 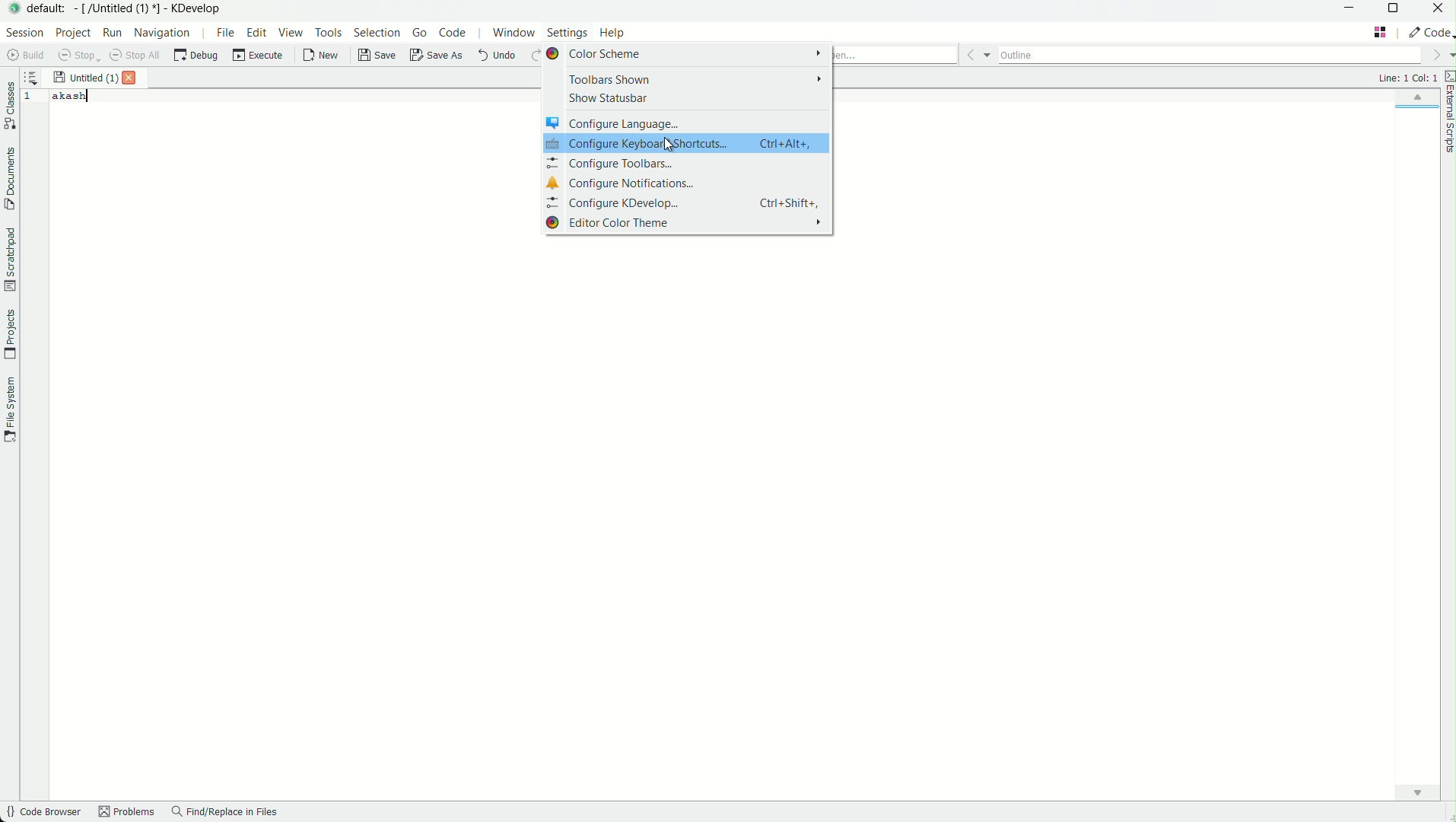 What do you see at coordinates (688, 222) in the screenshot?
I see `editor color theme` at bounding box center [688, 222].